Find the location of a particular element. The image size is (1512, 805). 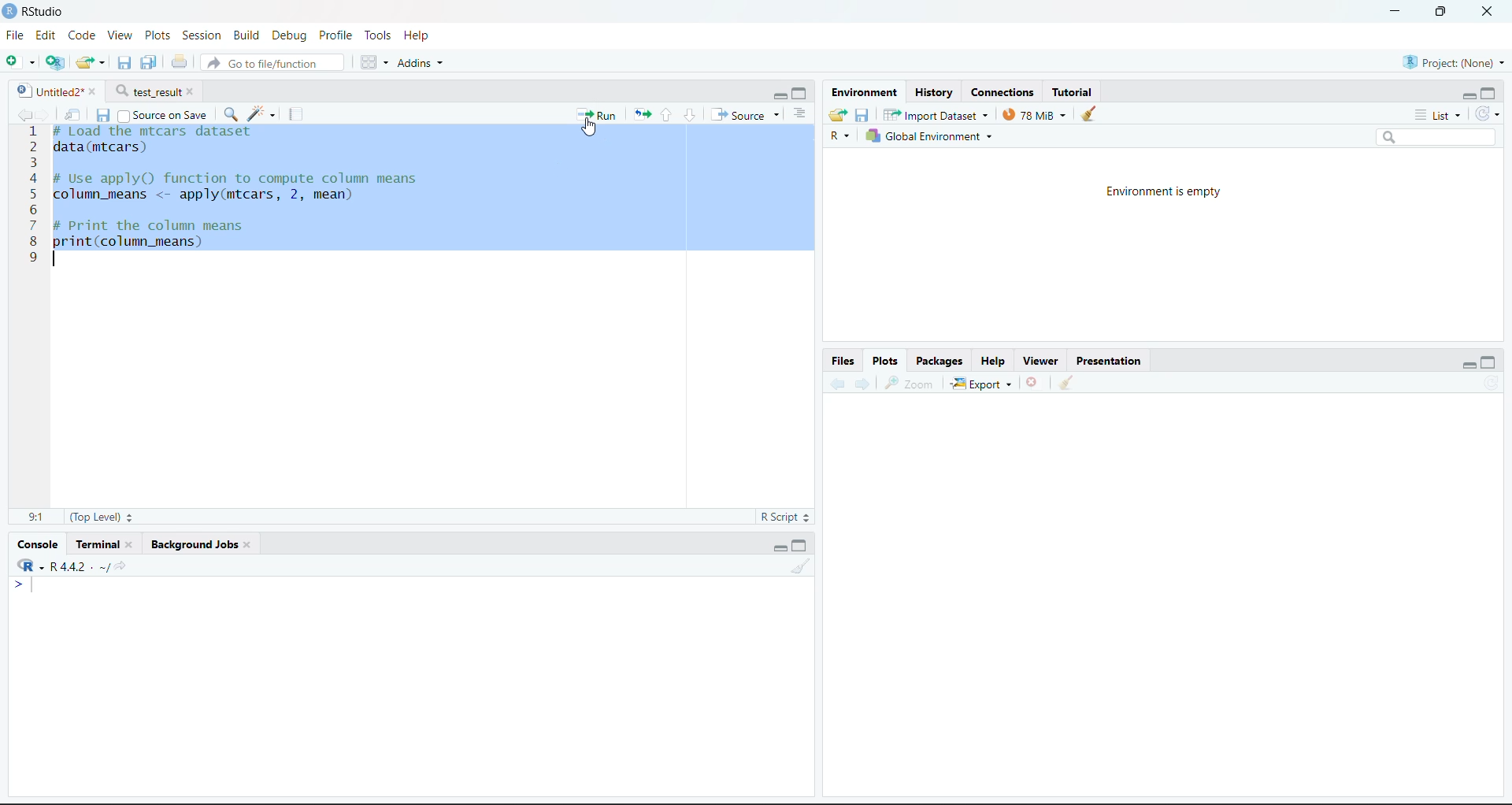

Connections is located at coordinates (1004, 92).